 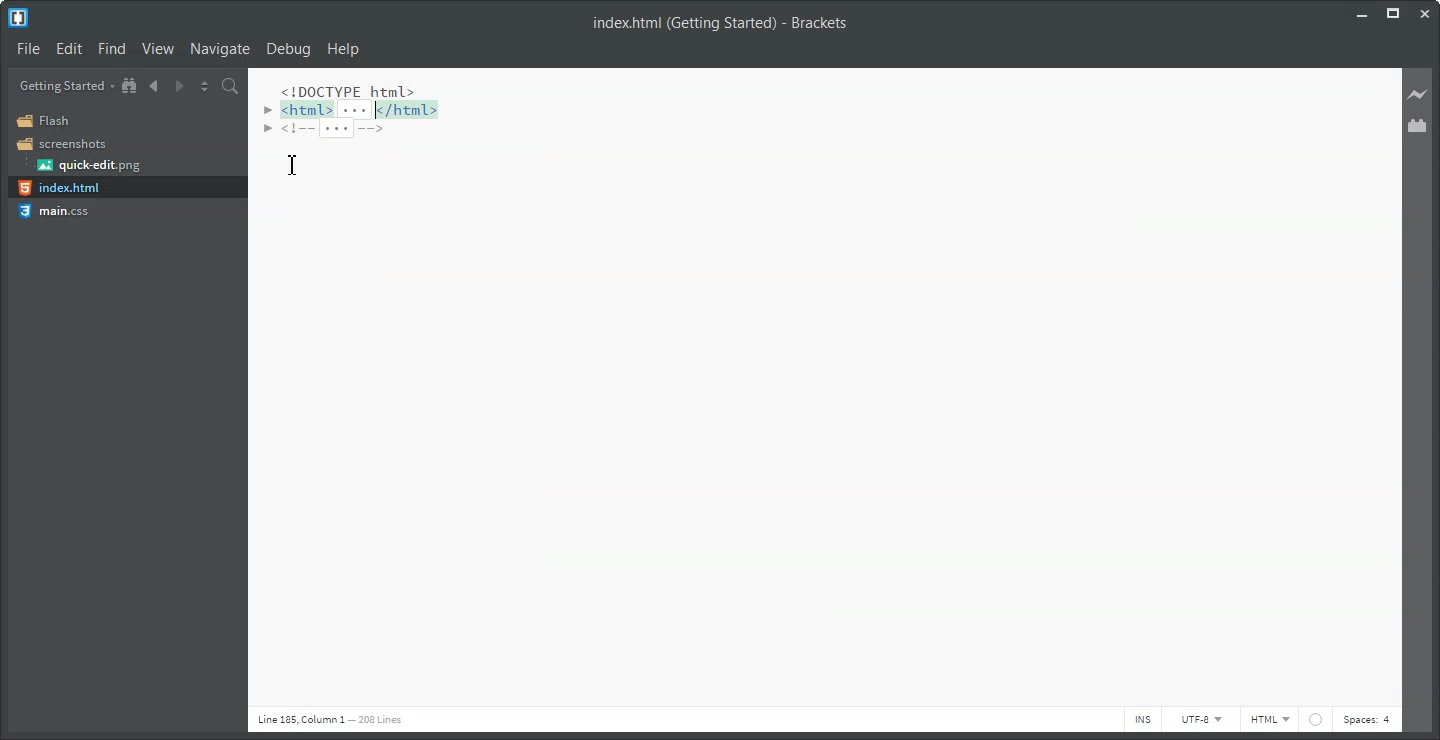 What do you see at coordinates (1420, 127) in the screenshot?
I see `Extension Manager` at bounding box center [1420, 127].